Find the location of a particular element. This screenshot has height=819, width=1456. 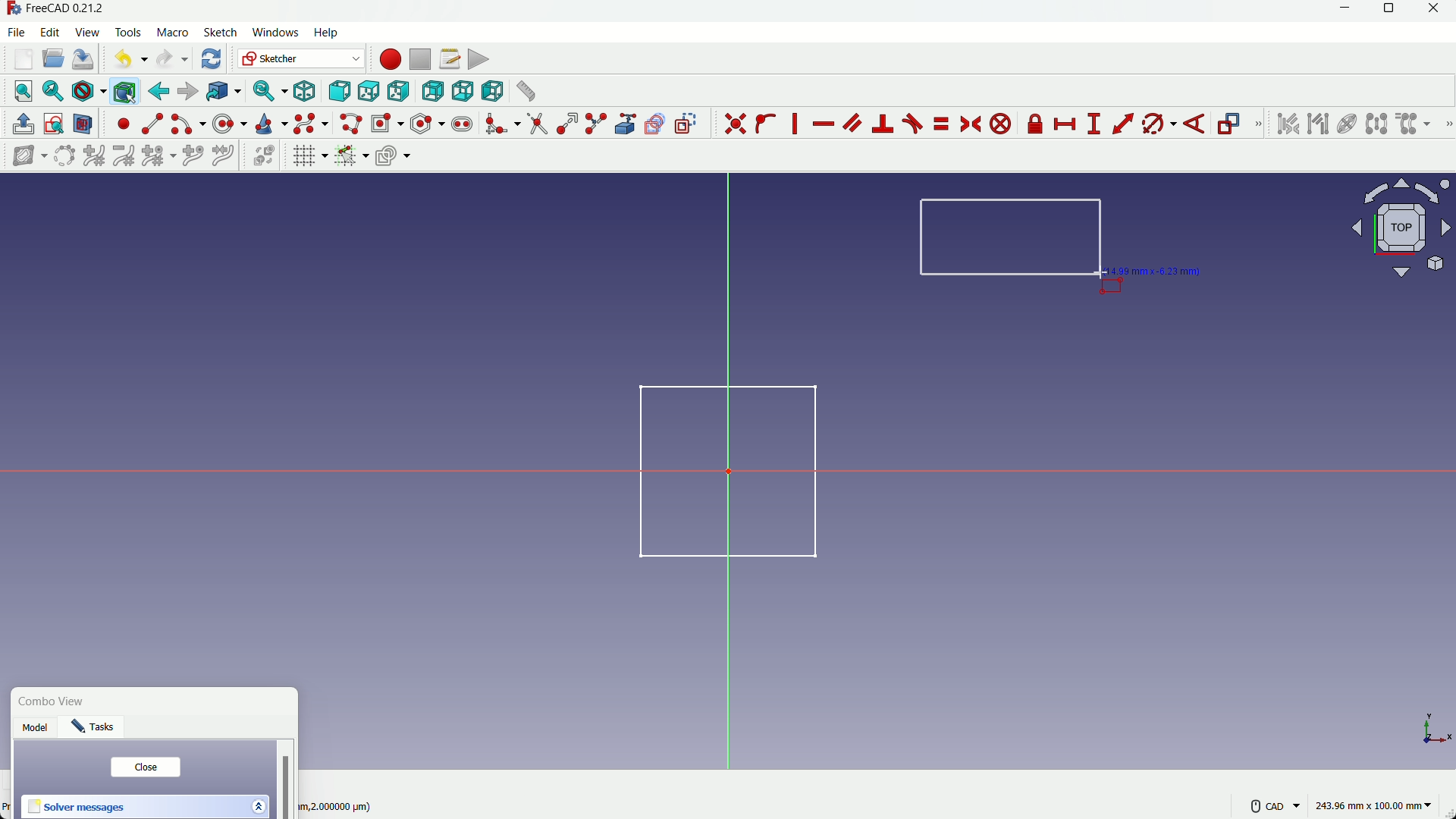

view section is located at coordinates (83, 125).